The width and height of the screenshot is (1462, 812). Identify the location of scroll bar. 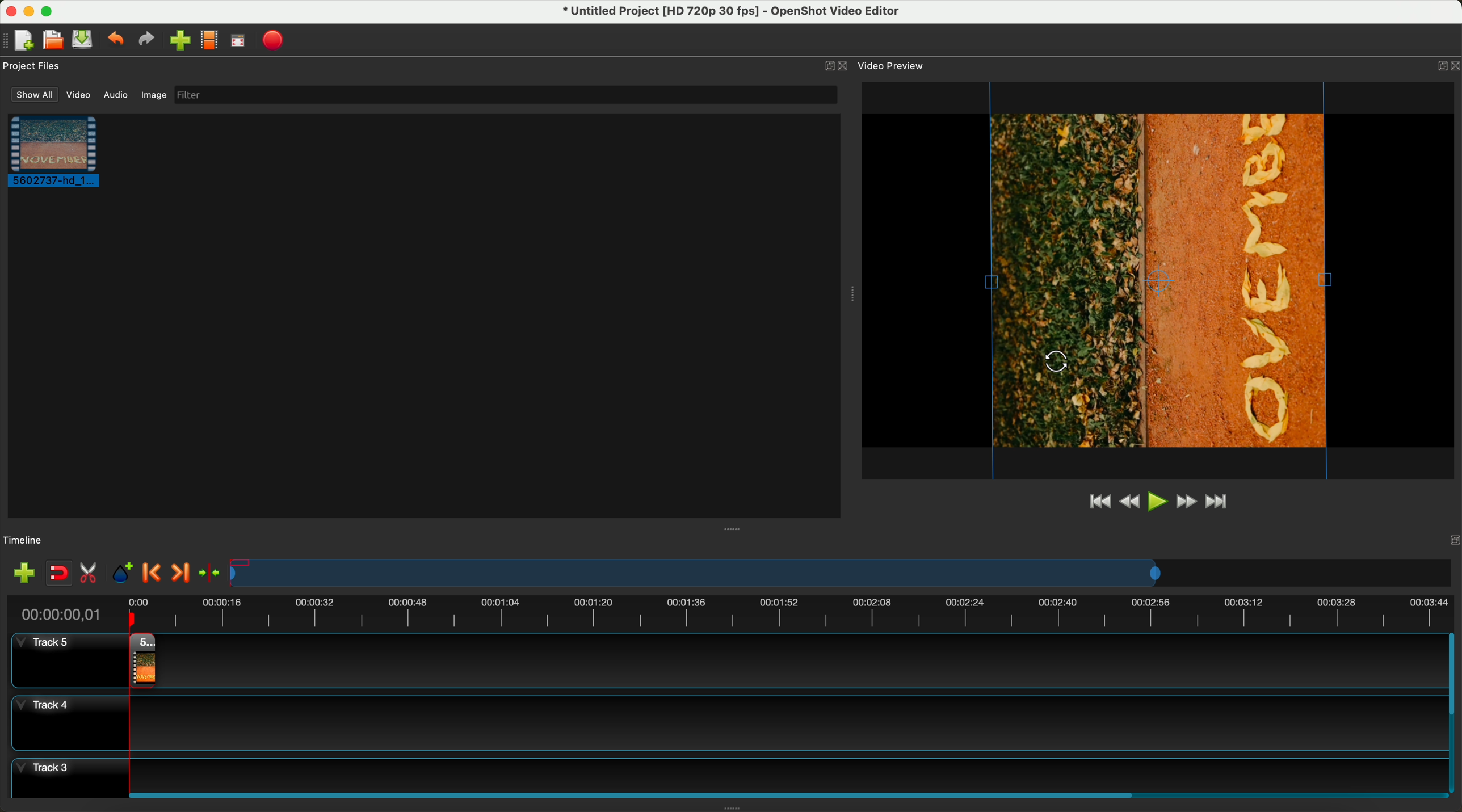
(785, 793).